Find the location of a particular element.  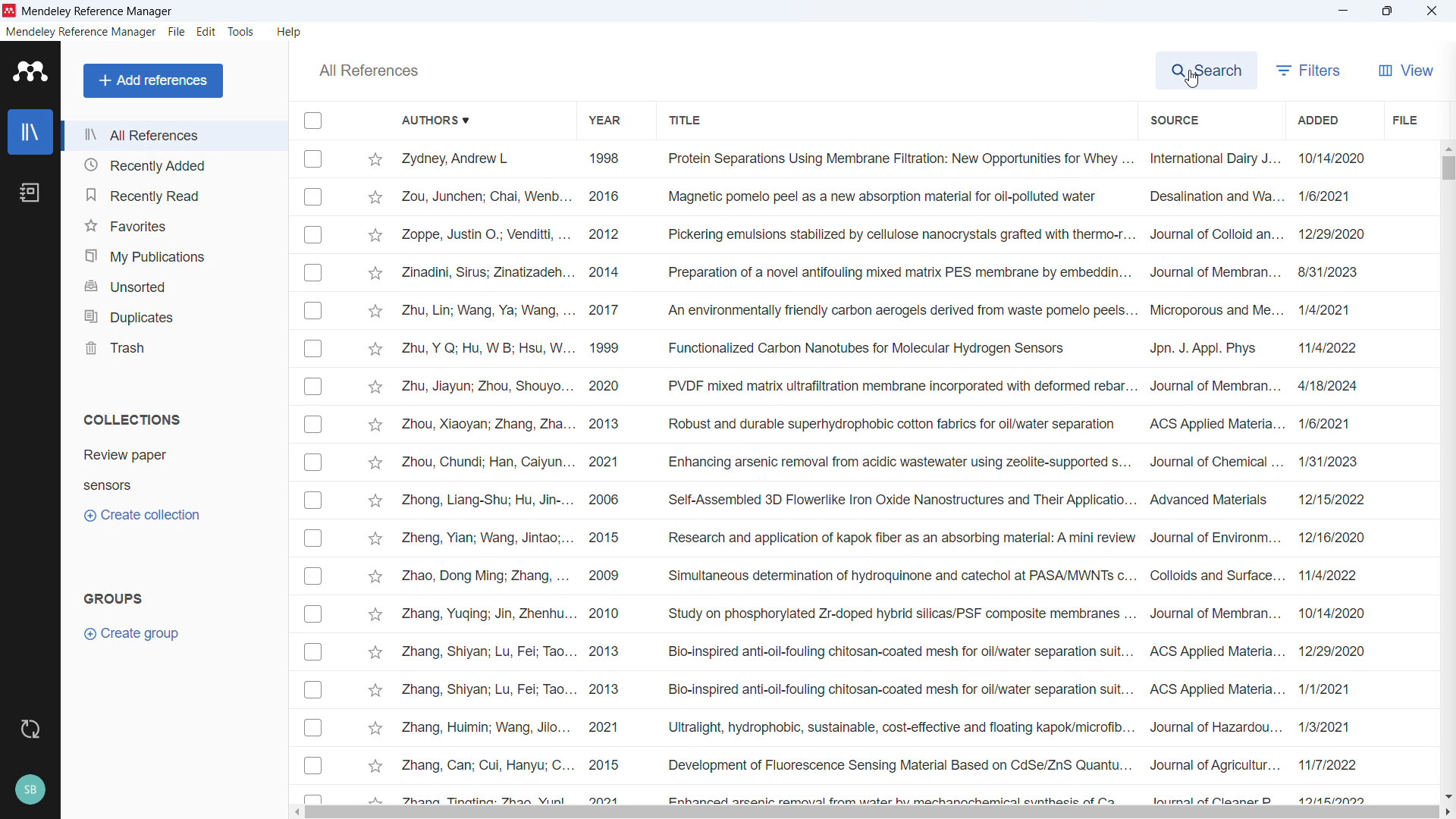

Create group  is located at coordinates (135, 633).